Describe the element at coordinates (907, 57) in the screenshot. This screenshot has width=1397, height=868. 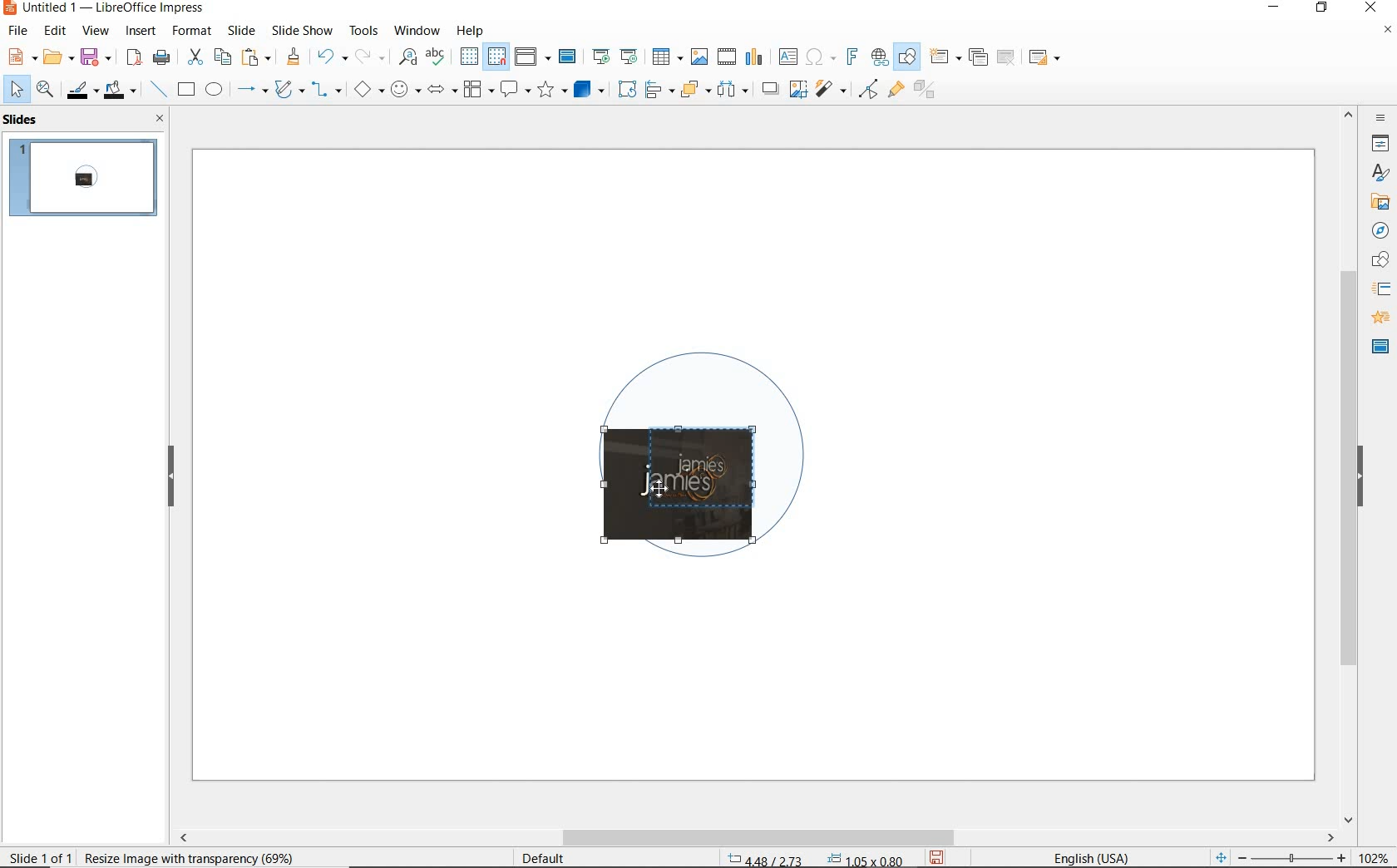
I see `show draw functions` at that location.